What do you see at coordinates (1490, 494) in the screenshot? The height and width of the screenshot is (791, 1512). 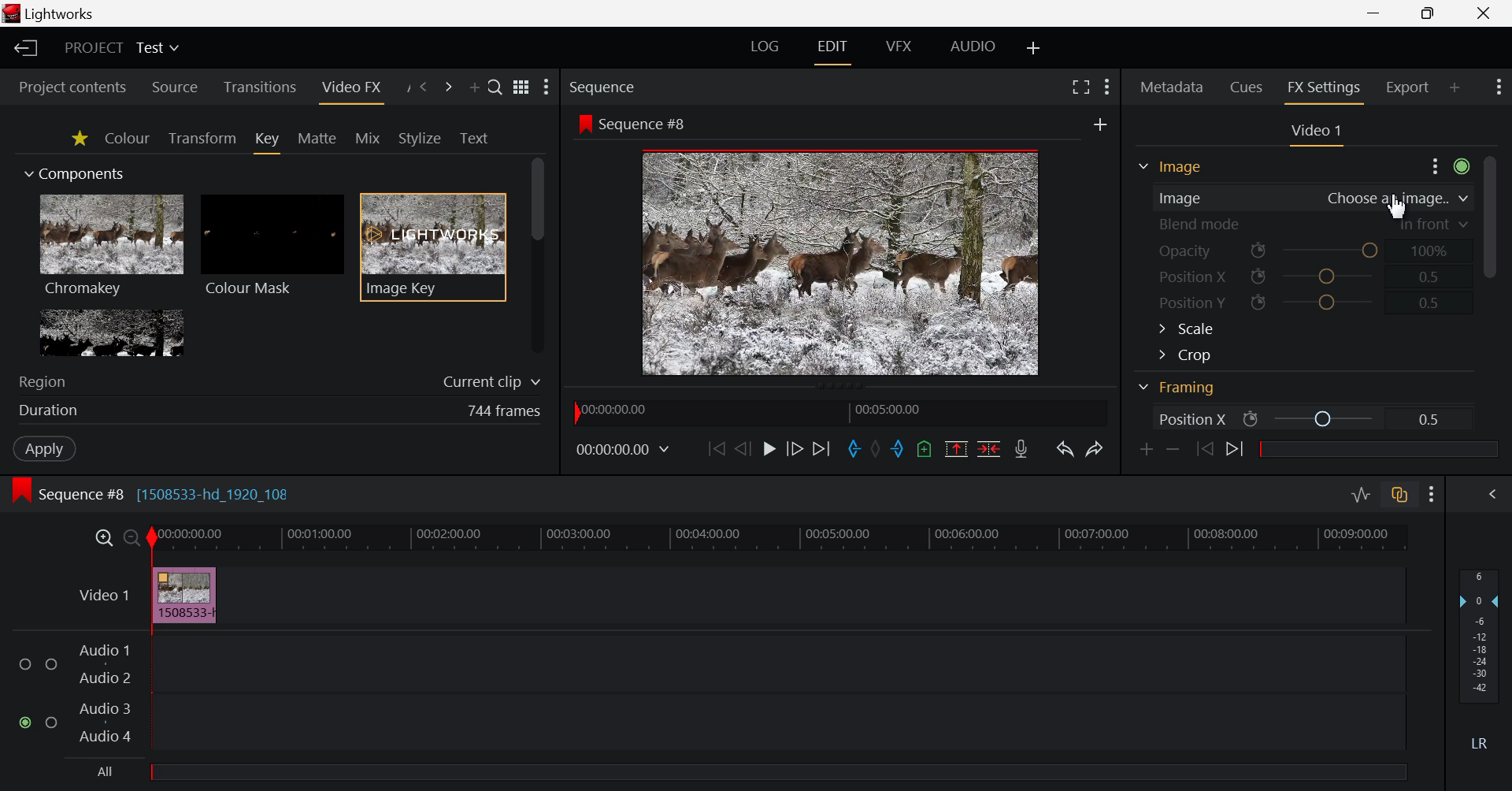 I see `Show Audio Mix` at bounding box center [1490, 494].